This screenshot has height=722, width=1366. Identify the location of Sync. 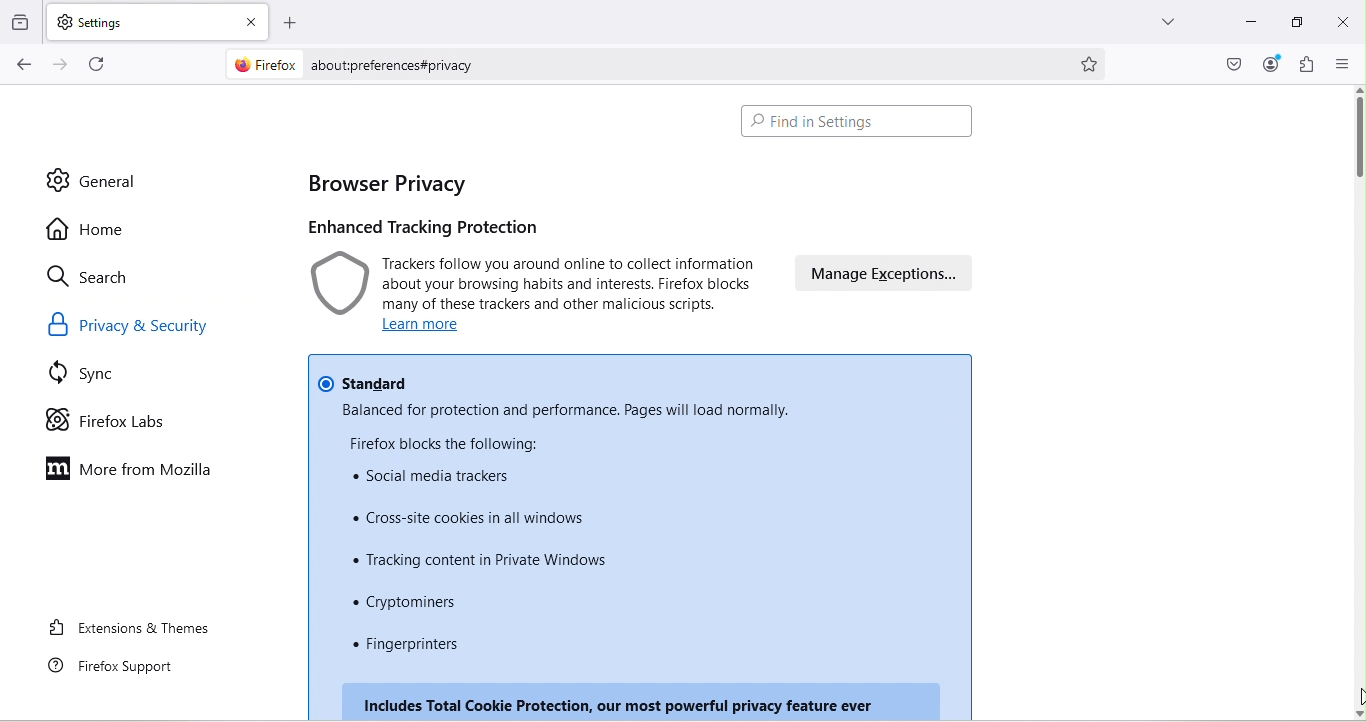
(92, 376).